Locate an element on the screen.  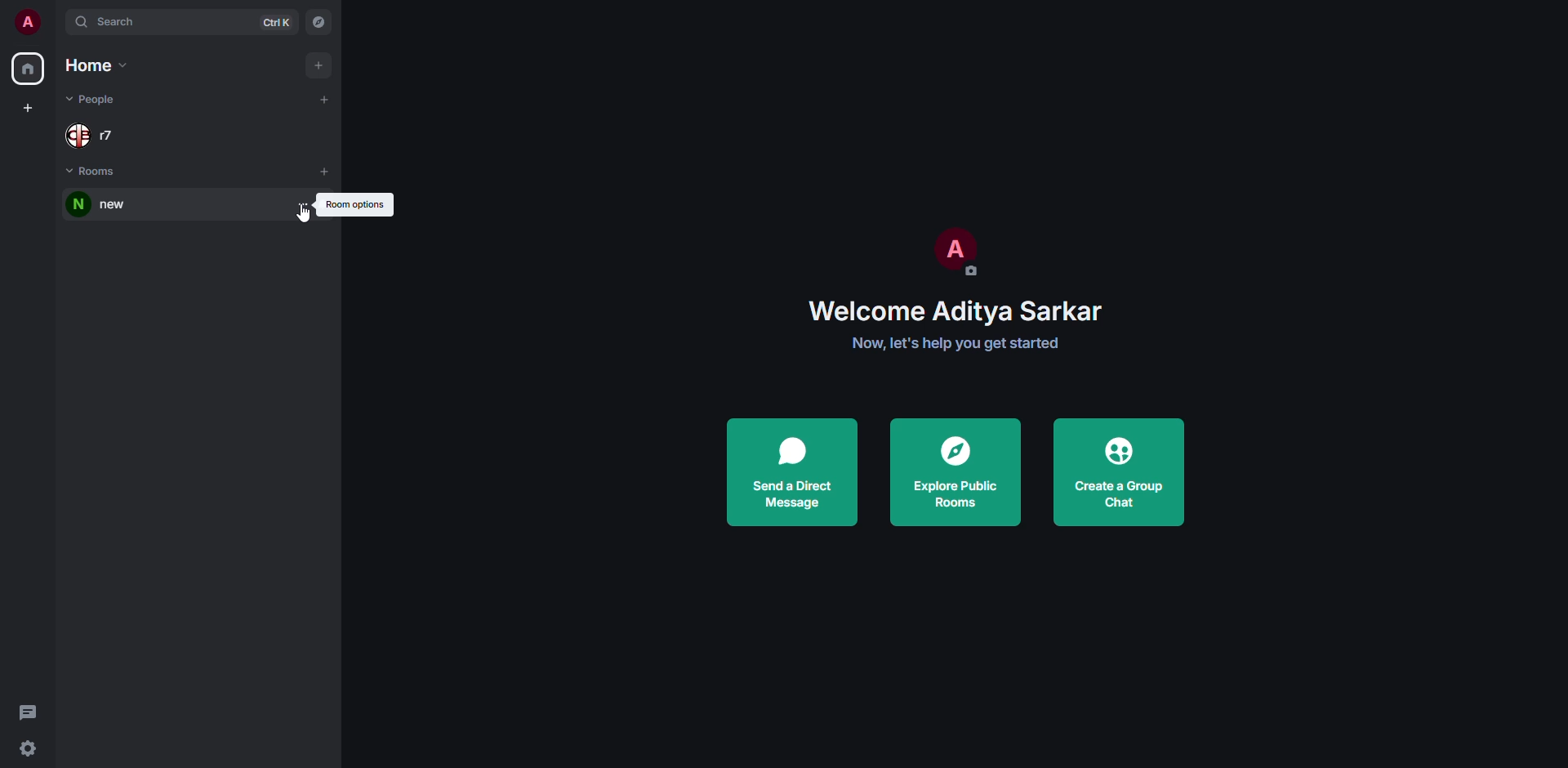
Cursor is located at coordinates (304, 217).